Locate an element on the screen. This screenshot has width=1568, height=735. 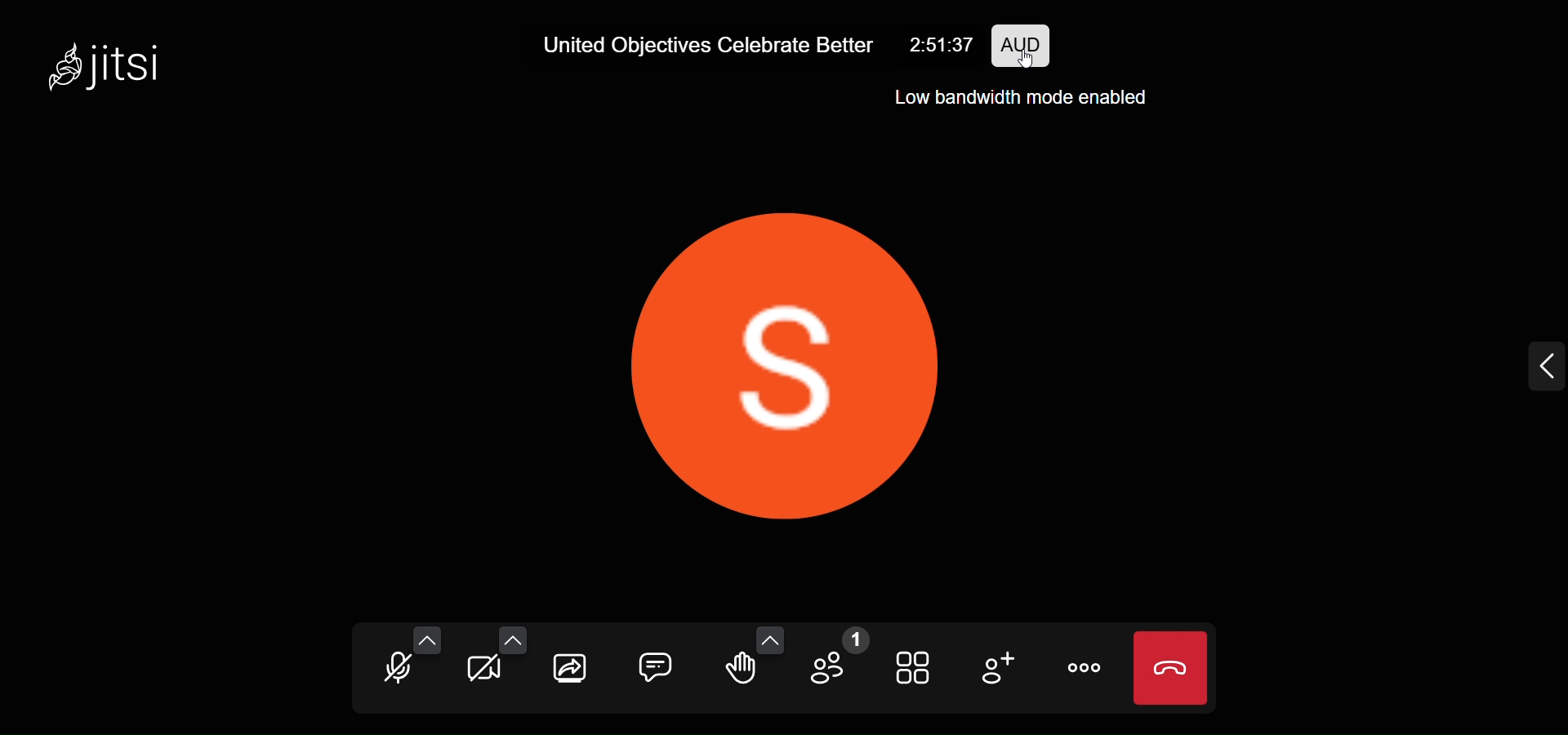
leave call is located at coordinates (1169, 667).